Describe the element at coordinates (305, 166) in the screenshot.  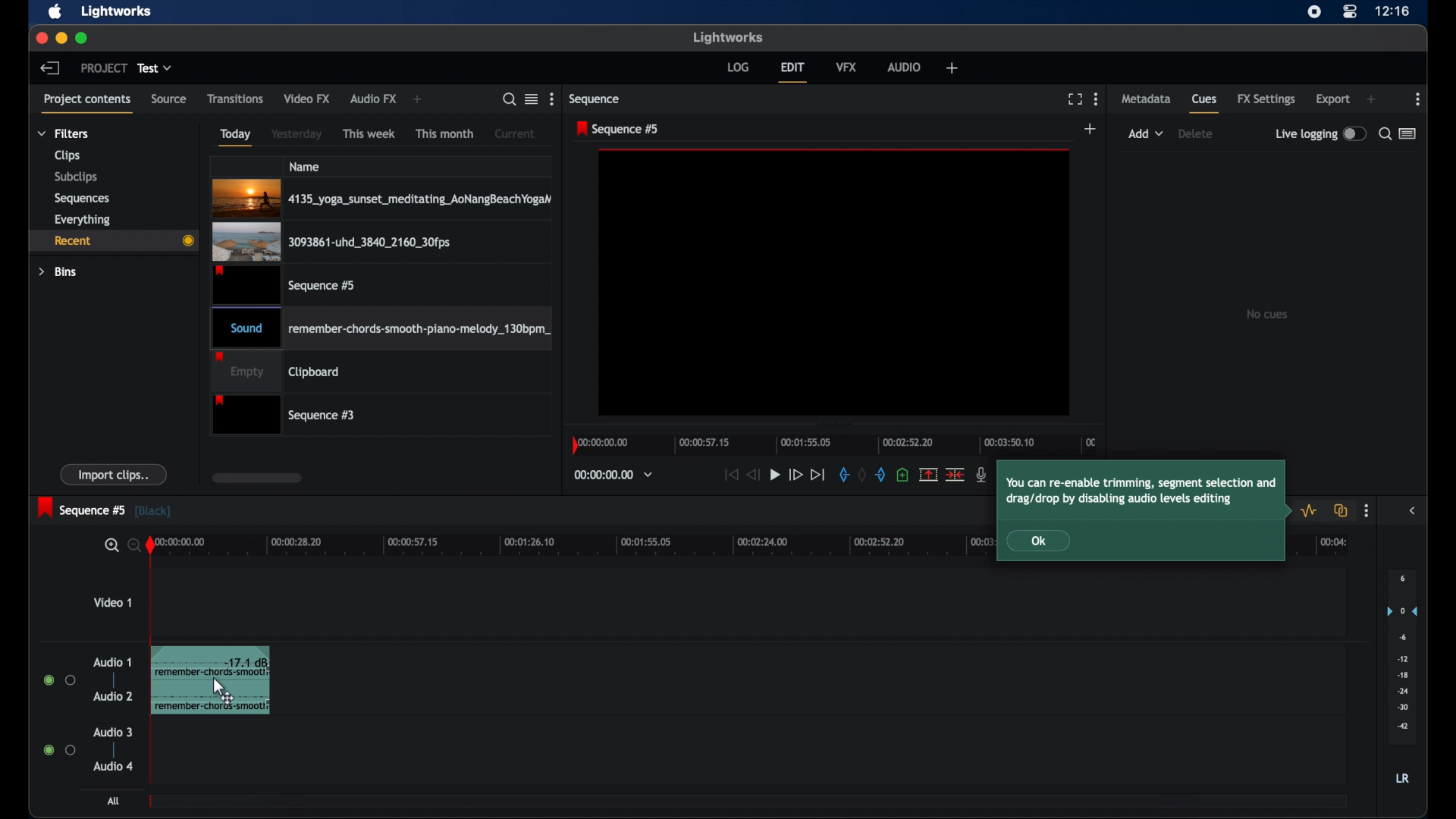
I see `name` at that location.